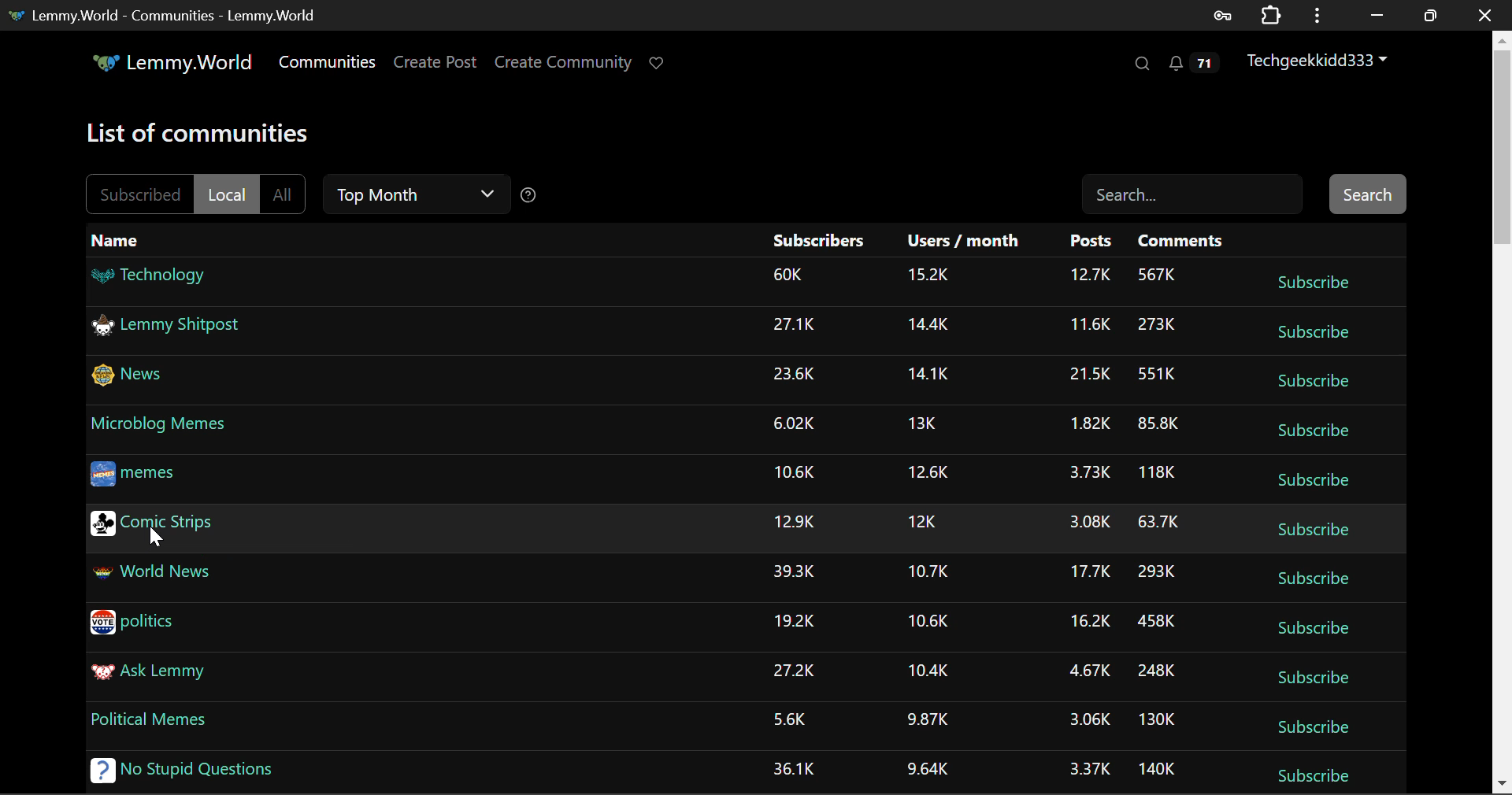 This screenshot has width=1512, height=795. What do you see at coordinates (1310, 579) in the screenshot?
I see `Subscribe` at bounding box center [1310, 579].